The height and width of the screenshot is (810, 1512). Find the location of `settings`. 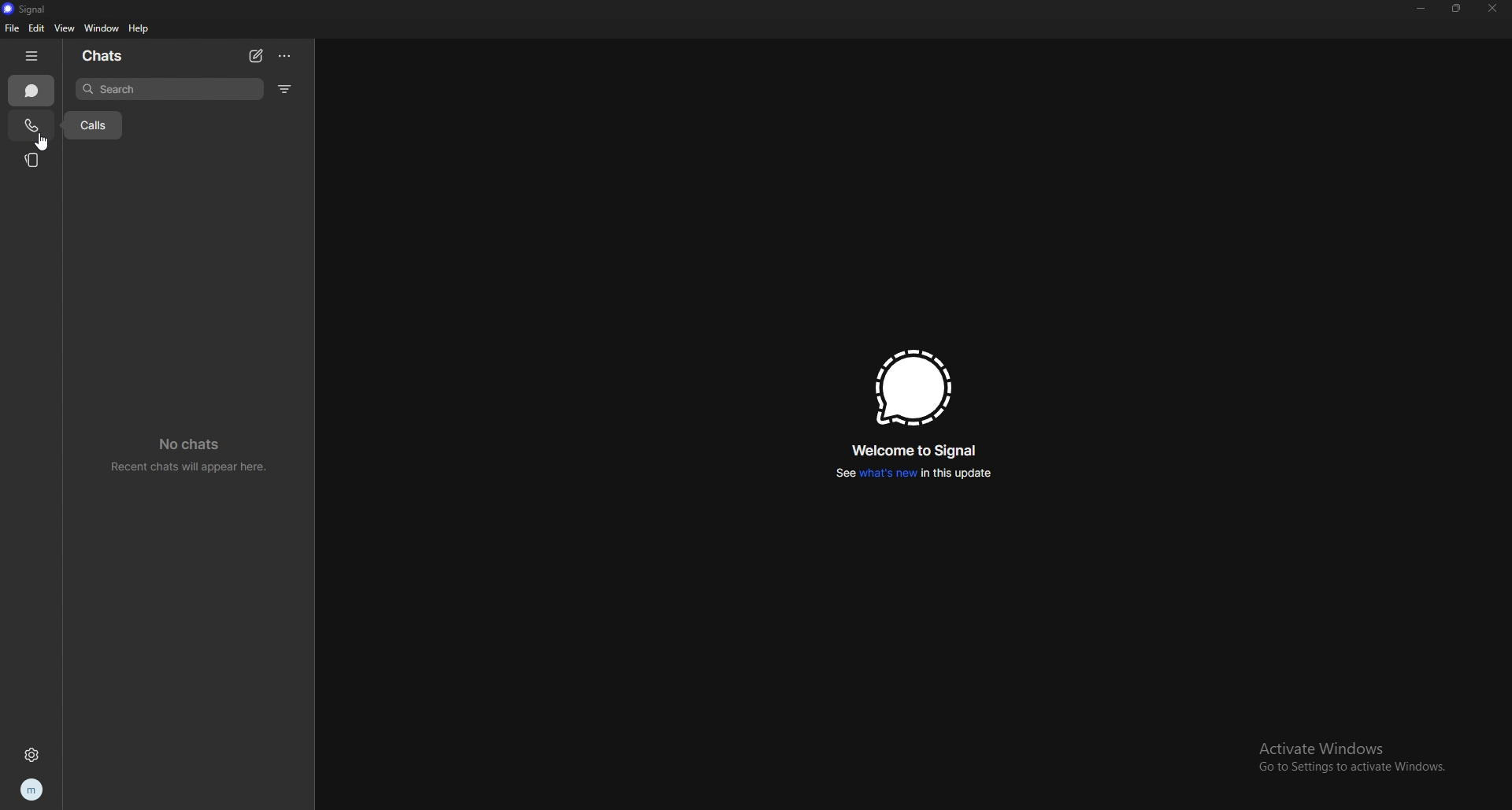

settings is located at coordinates (31, 754).